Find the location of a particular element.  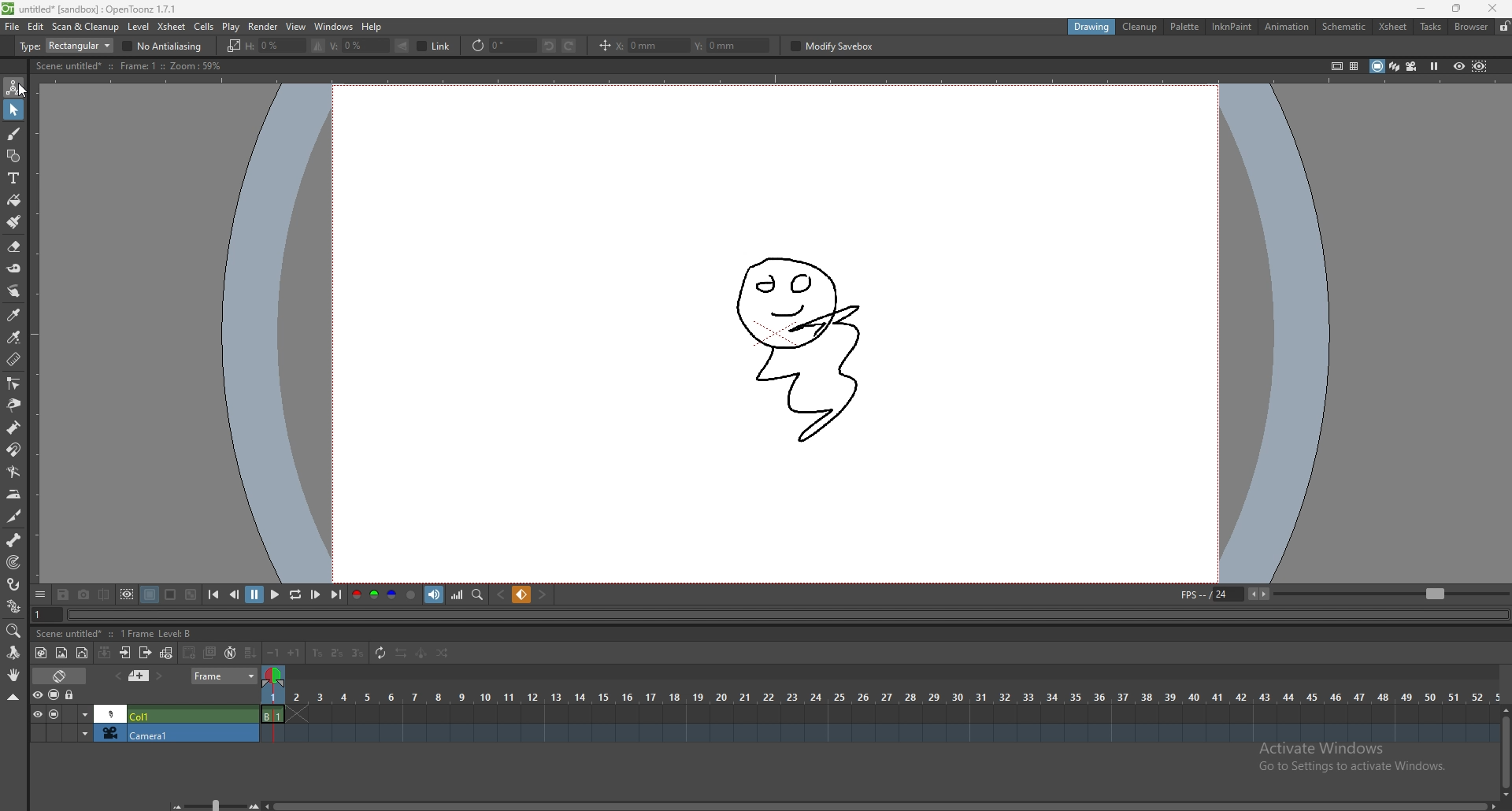

camera 1 timeline is located at coordinates (876, 738).